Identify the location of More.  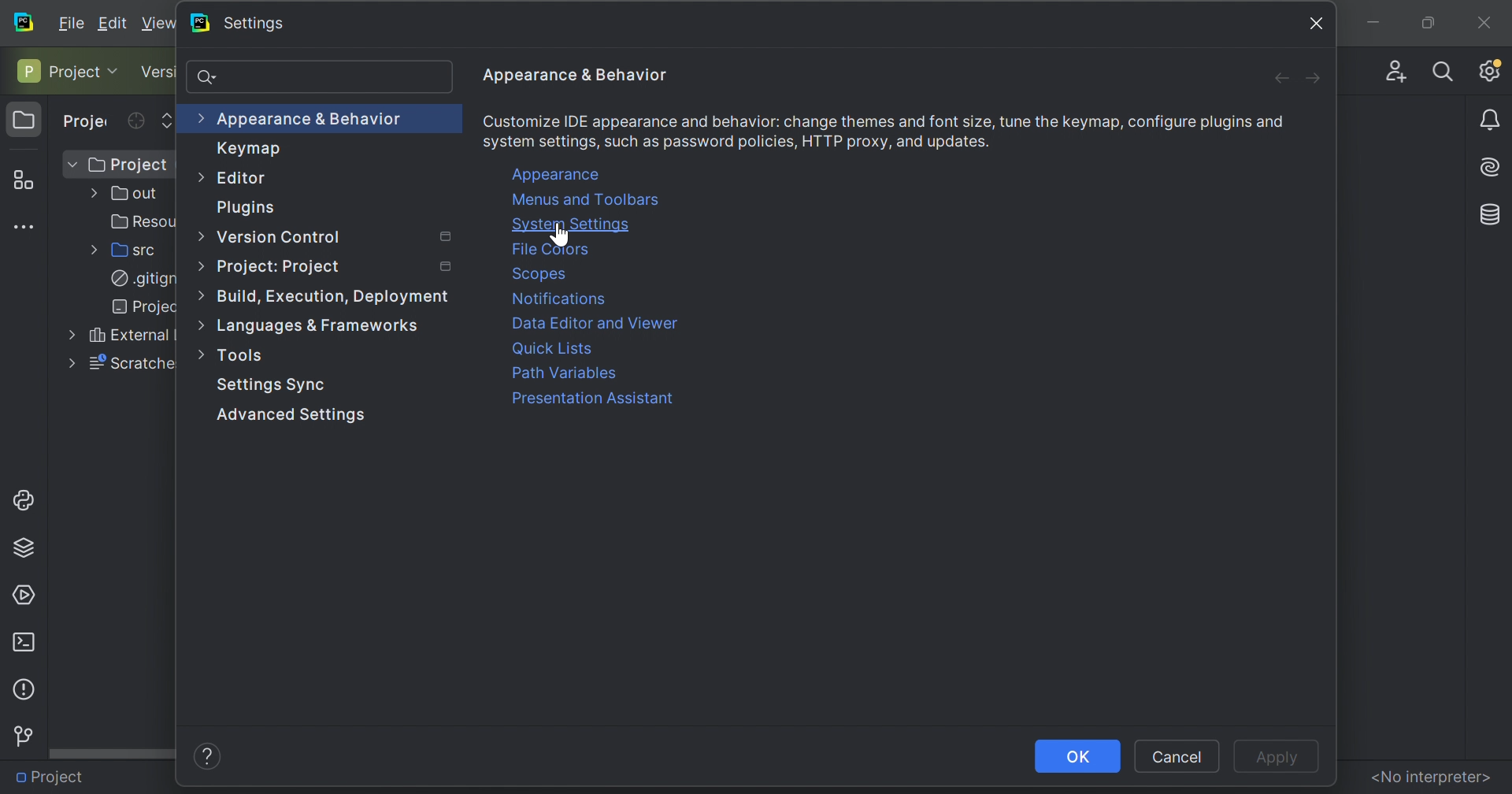
(203, 353).